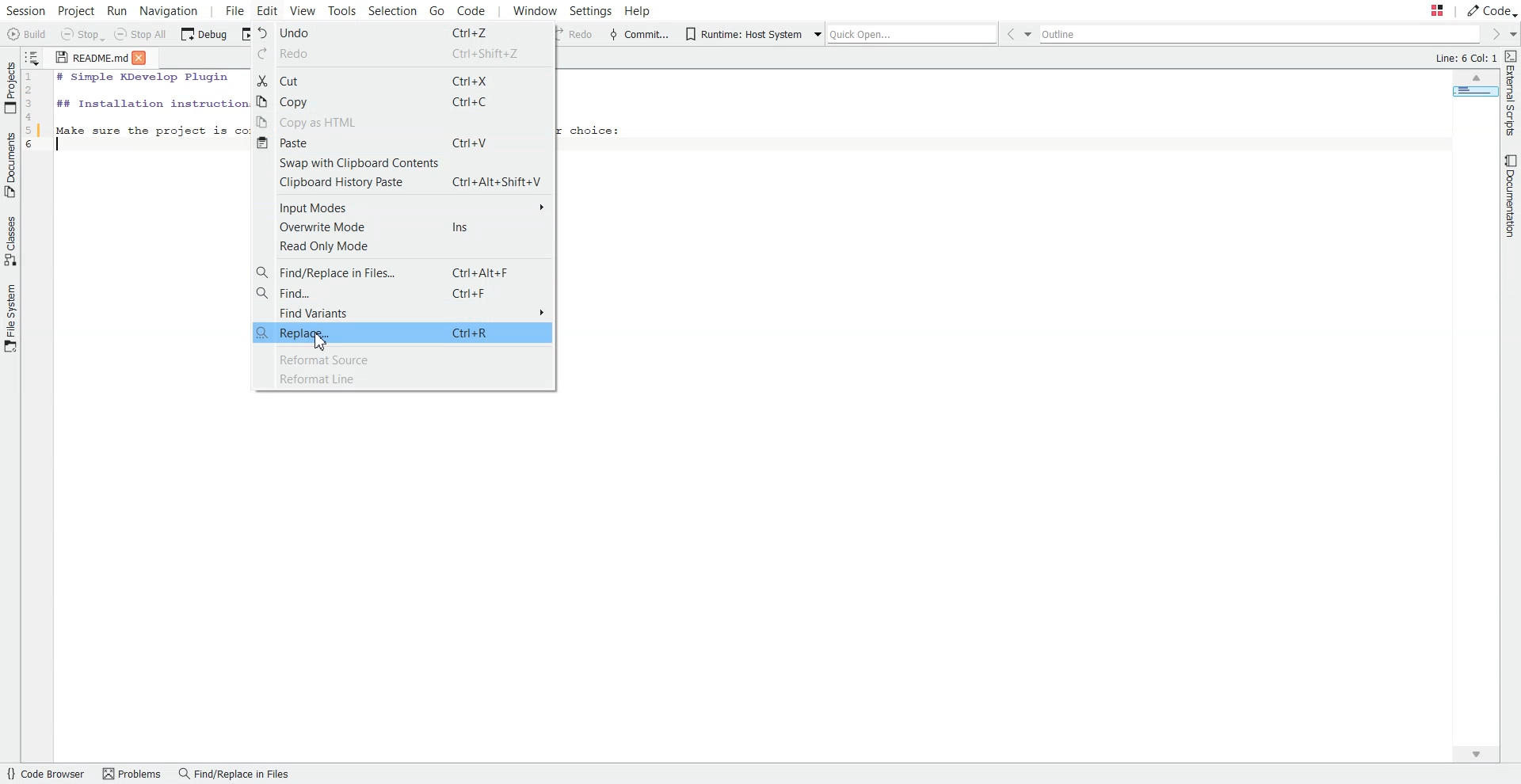  What do you see at coordinates (639, 34) in the screenshot?
I see `Commit` at bounding box center [639, 34].